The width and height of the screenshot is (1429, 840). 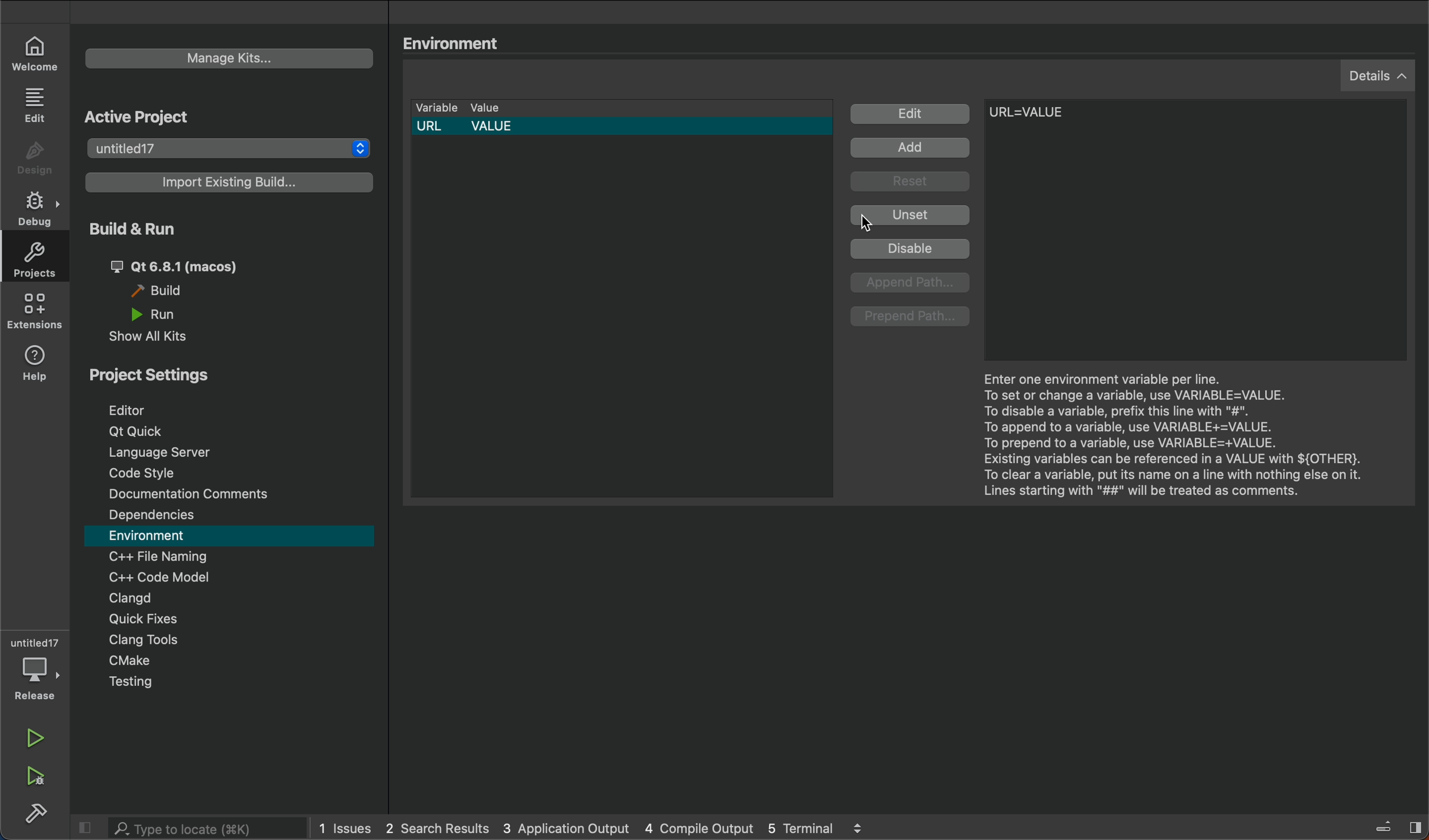 What do you see at coordinates (911, 184) in the screenshot?
I see `reset` at bounding box center [911, 184].